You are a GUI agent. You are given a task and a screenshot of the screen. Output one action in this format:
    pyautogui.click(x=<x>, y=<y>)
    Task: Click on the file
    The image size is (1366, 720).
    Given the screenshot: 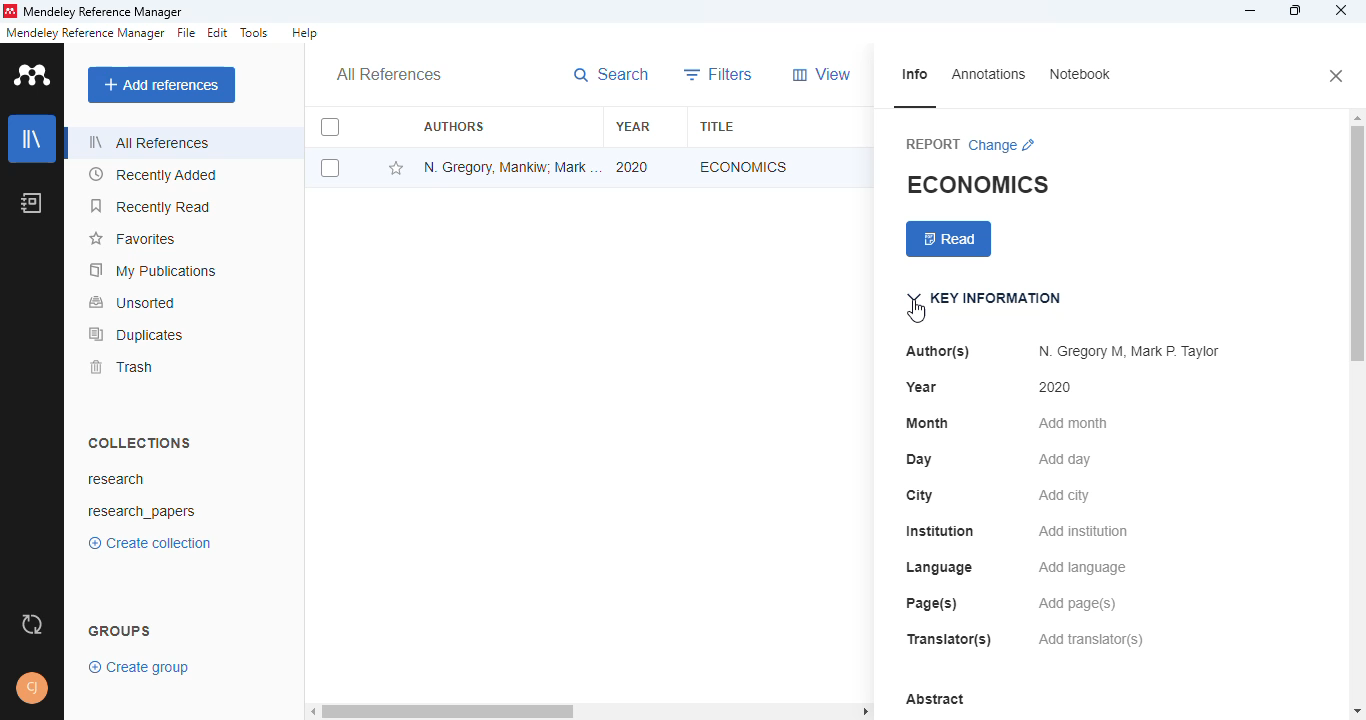 What is the action you would take?
    pyautogui.click(x=187, y=33)
    